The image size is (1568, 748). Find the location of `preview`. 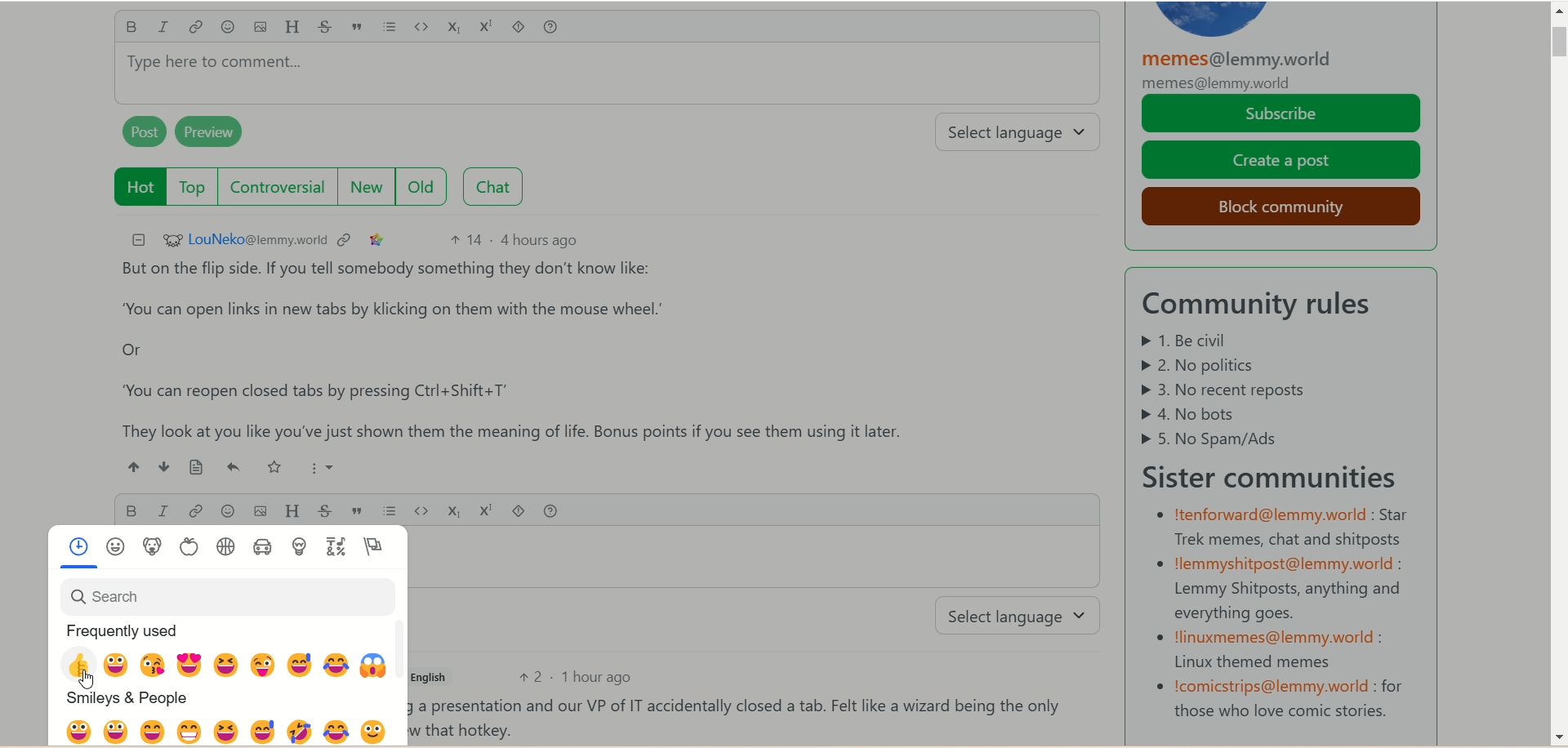

preview is located at coordinates (217, 134).